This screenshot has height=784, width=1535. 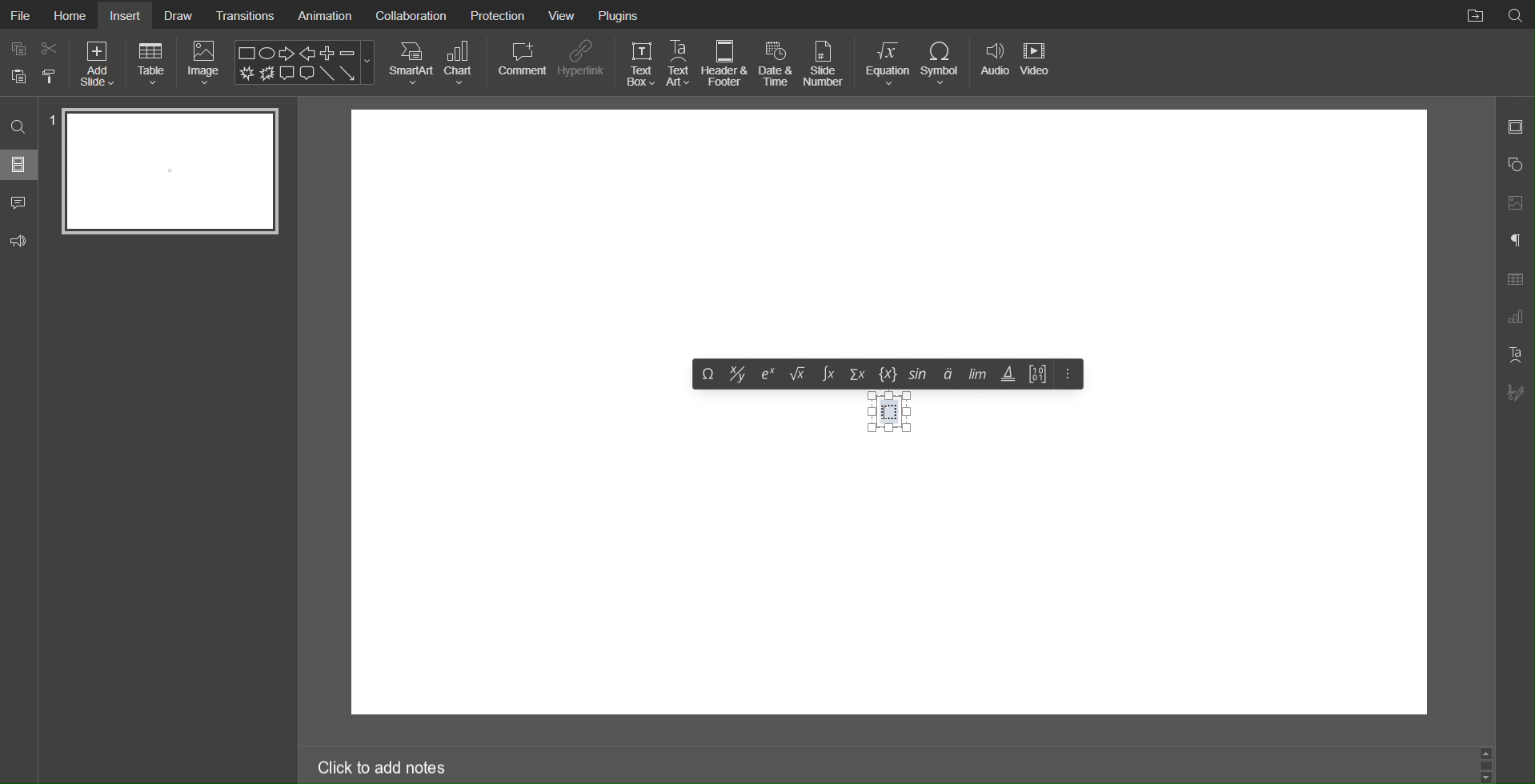 What do you see at coordinates (828, 375) in the screenshot?
I see `Integral` at bounding box center [828, 375].